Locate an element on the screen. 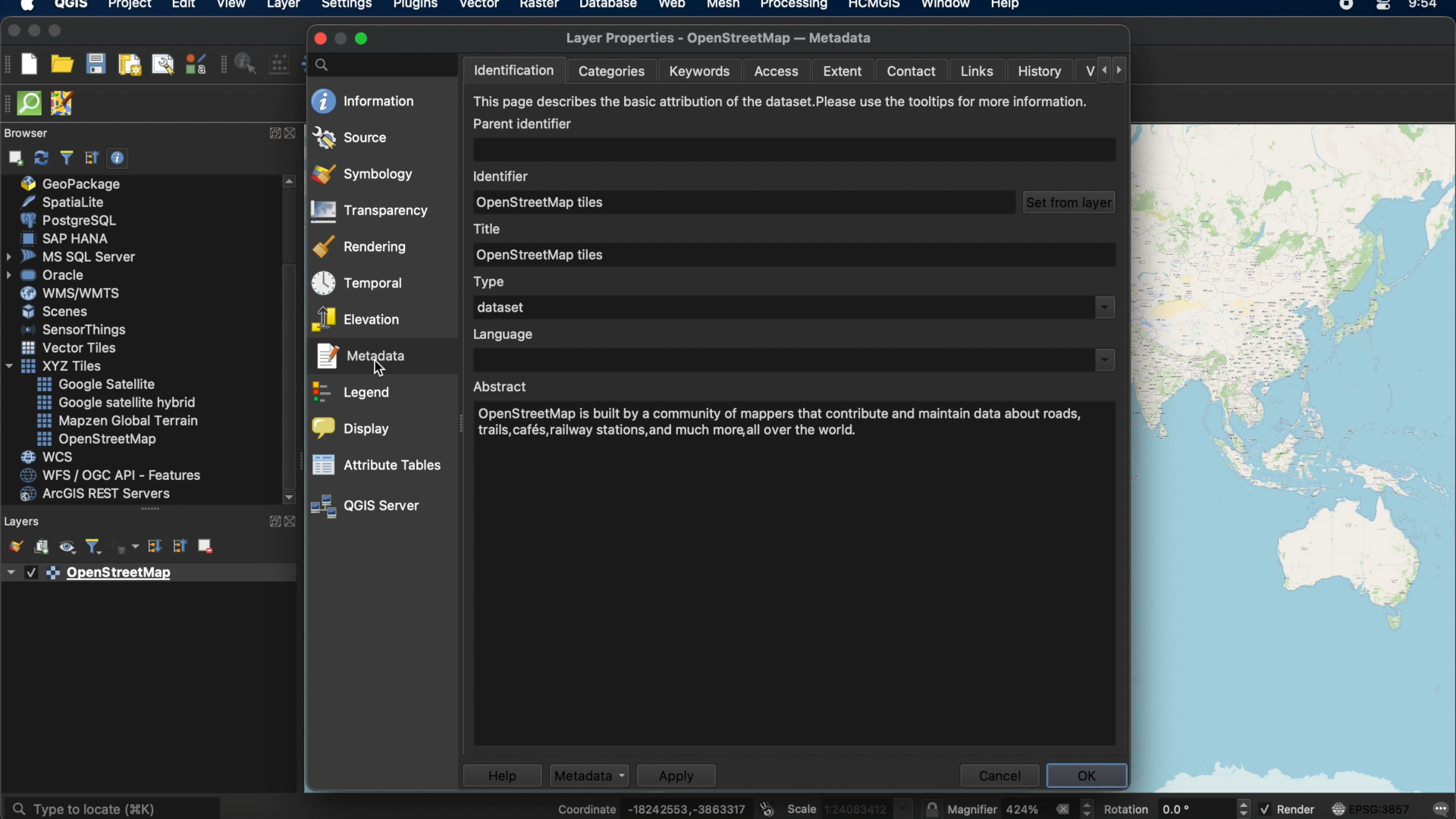  new paint layout is located at coordinates (129, 66).